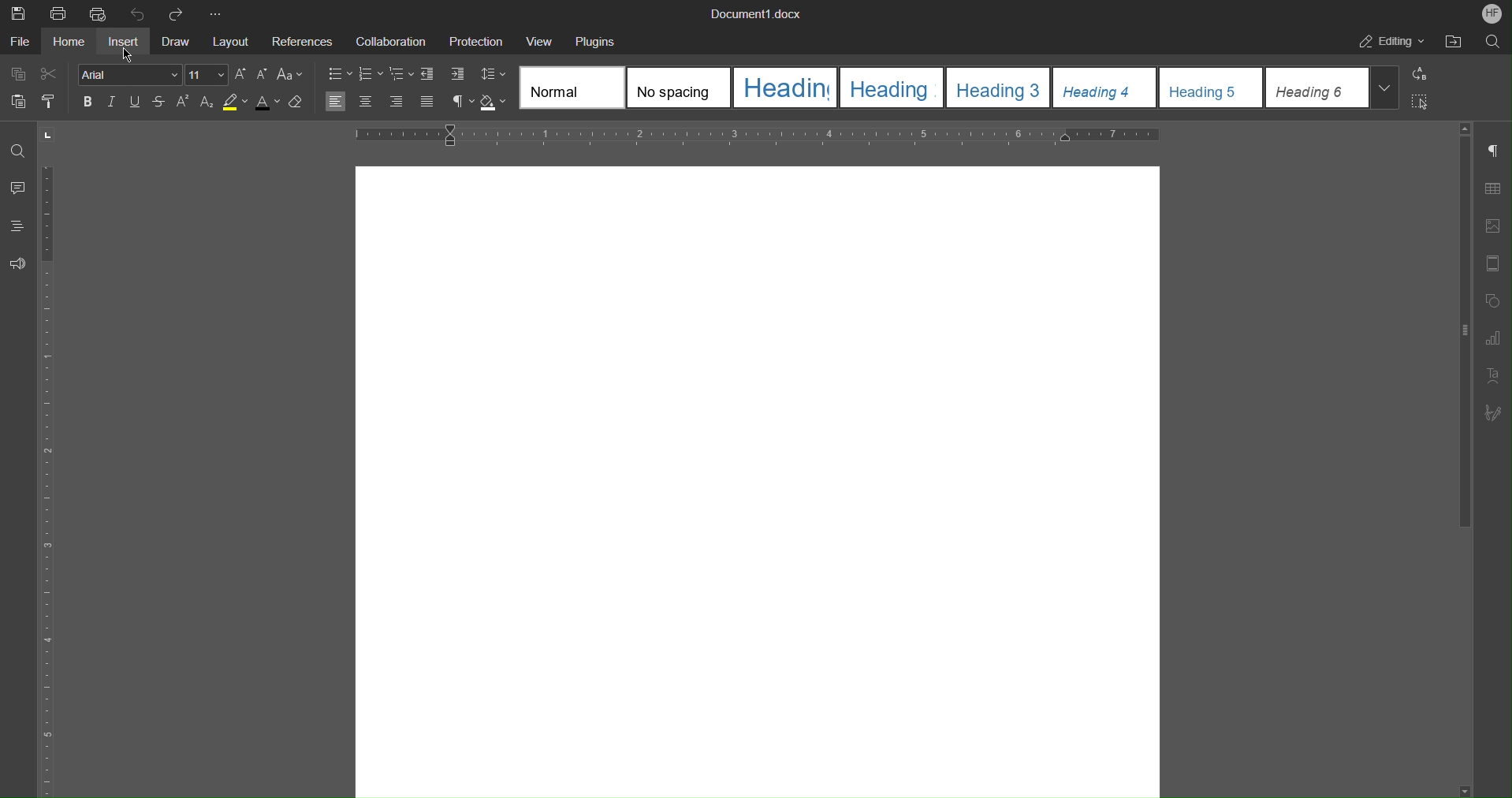 The height and width of the screenshot is (798, 1512). What do you see at coordinates (125, 55) in the screenshot?
I see `cursor` at bounding box center [125, 55].